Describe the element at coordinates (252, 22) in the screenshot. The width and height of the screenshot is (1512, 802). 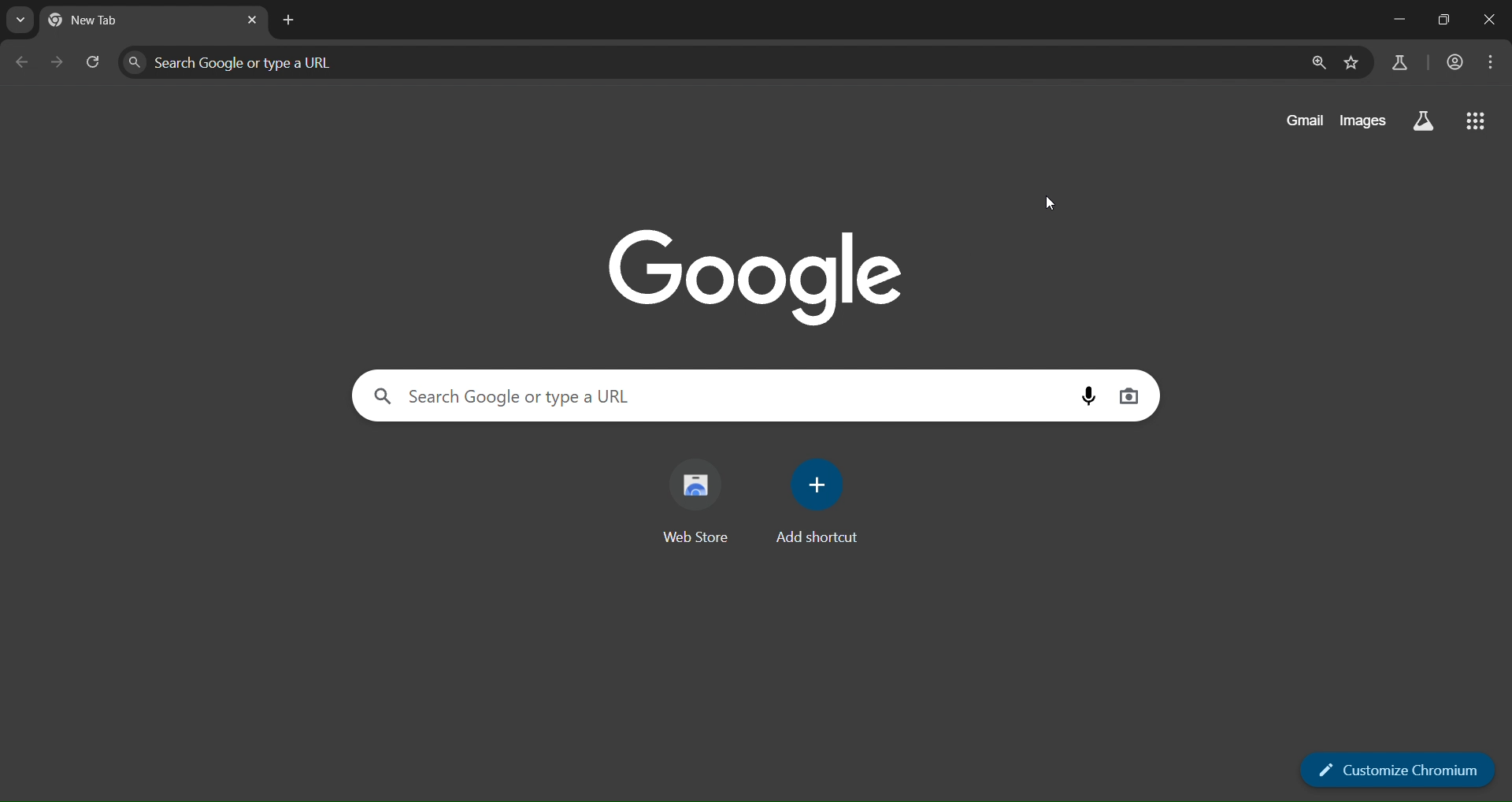
I see `close tab` at that location.